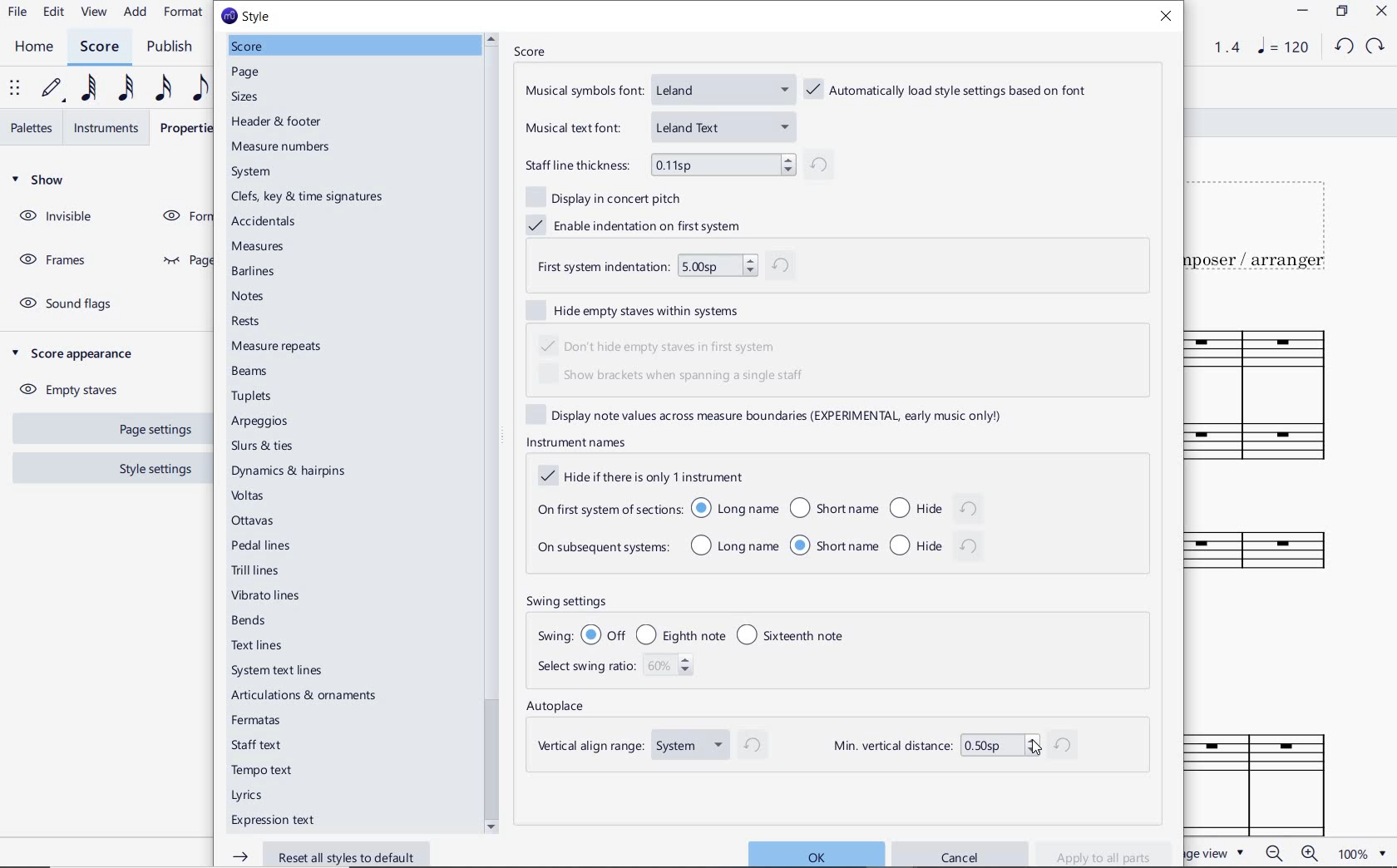 The image size is (1397, 868). What do you see at coordinates (263, 446) in the screenshot?
I see `slur & ties` at bounding box center [263, 446].